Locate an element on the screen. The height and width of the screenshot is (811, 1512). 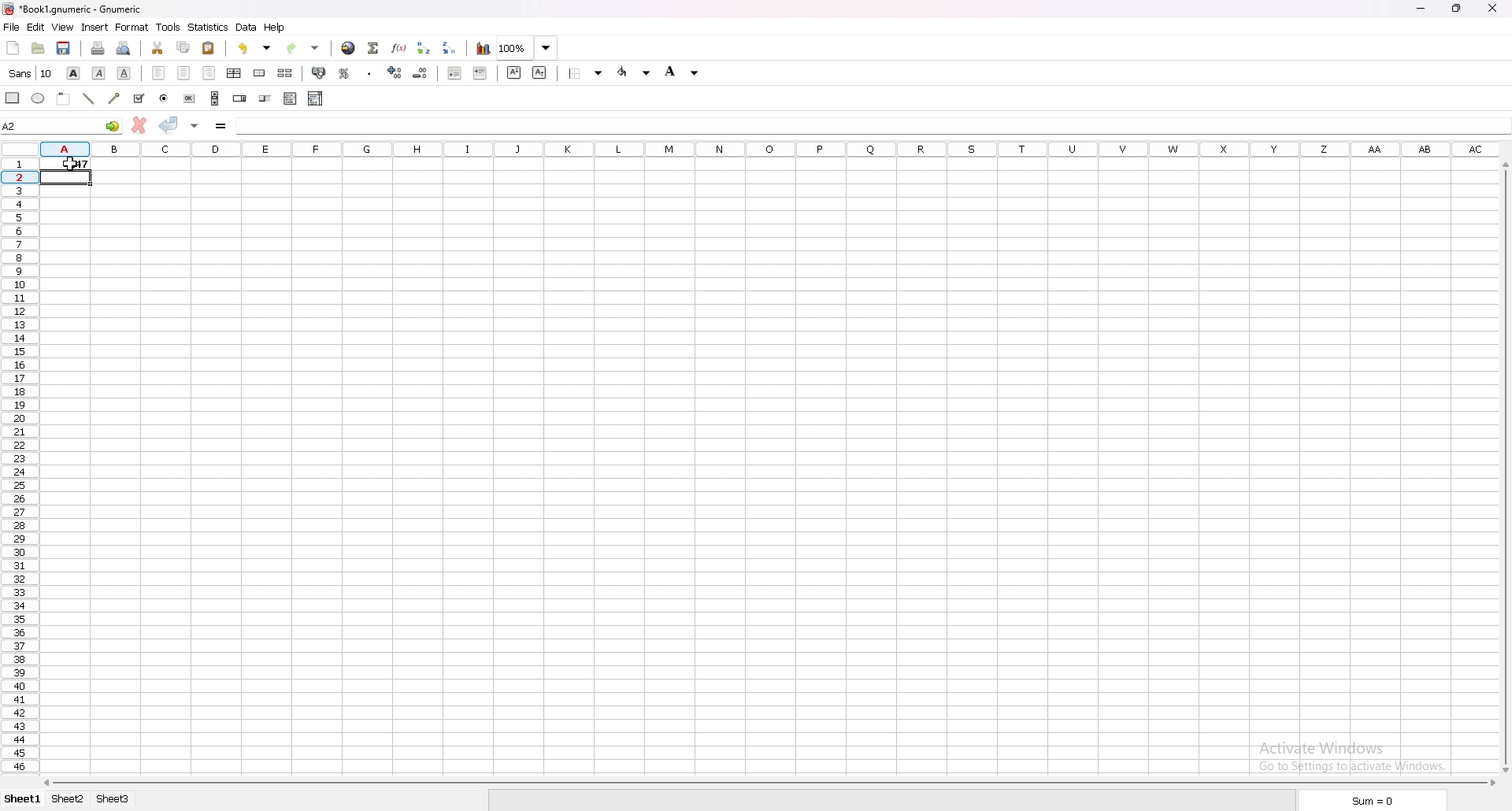
border is located at coordinates (587, 72).